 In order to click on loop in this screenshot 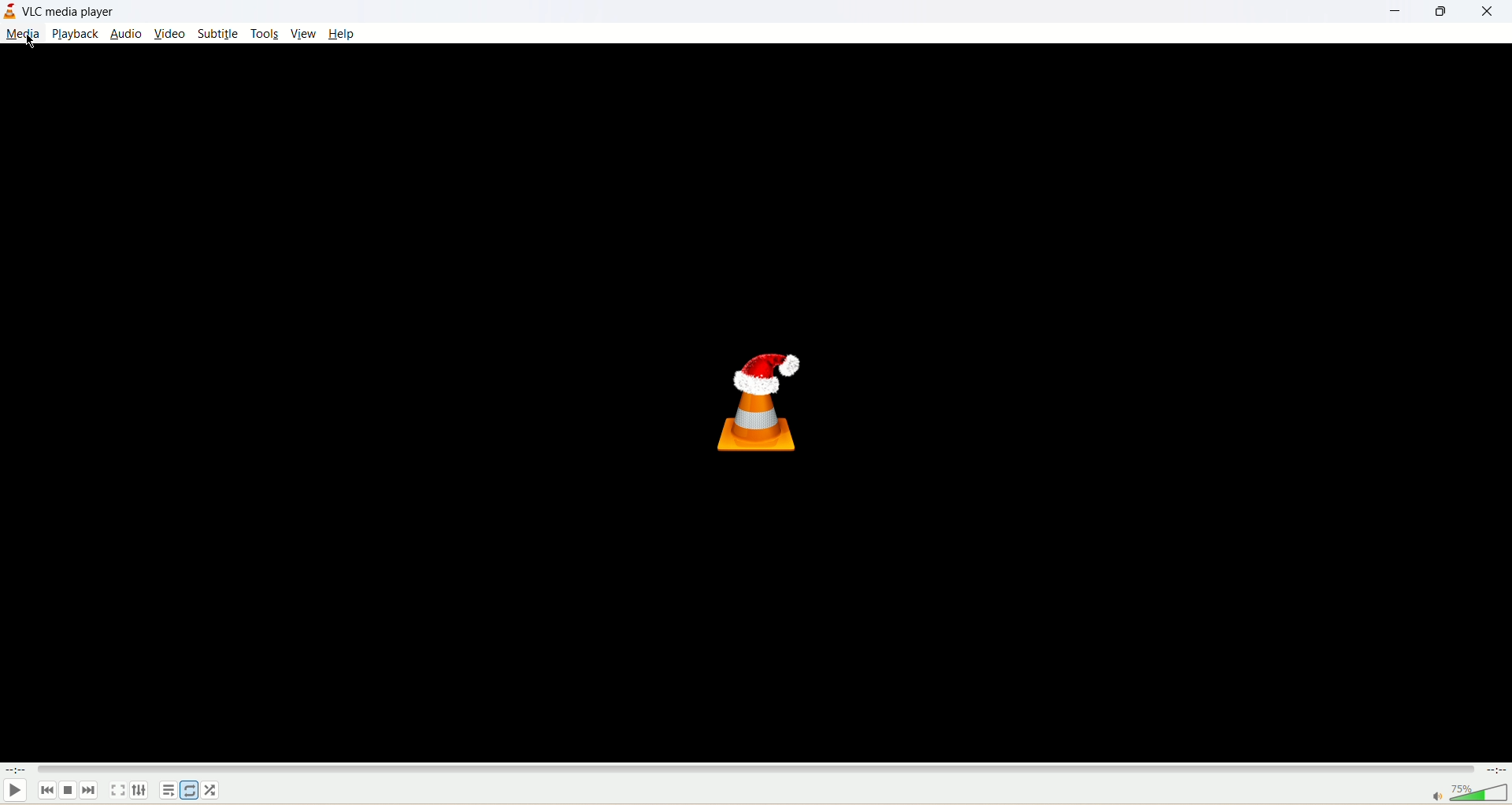, I will do `click(188, 789)`.